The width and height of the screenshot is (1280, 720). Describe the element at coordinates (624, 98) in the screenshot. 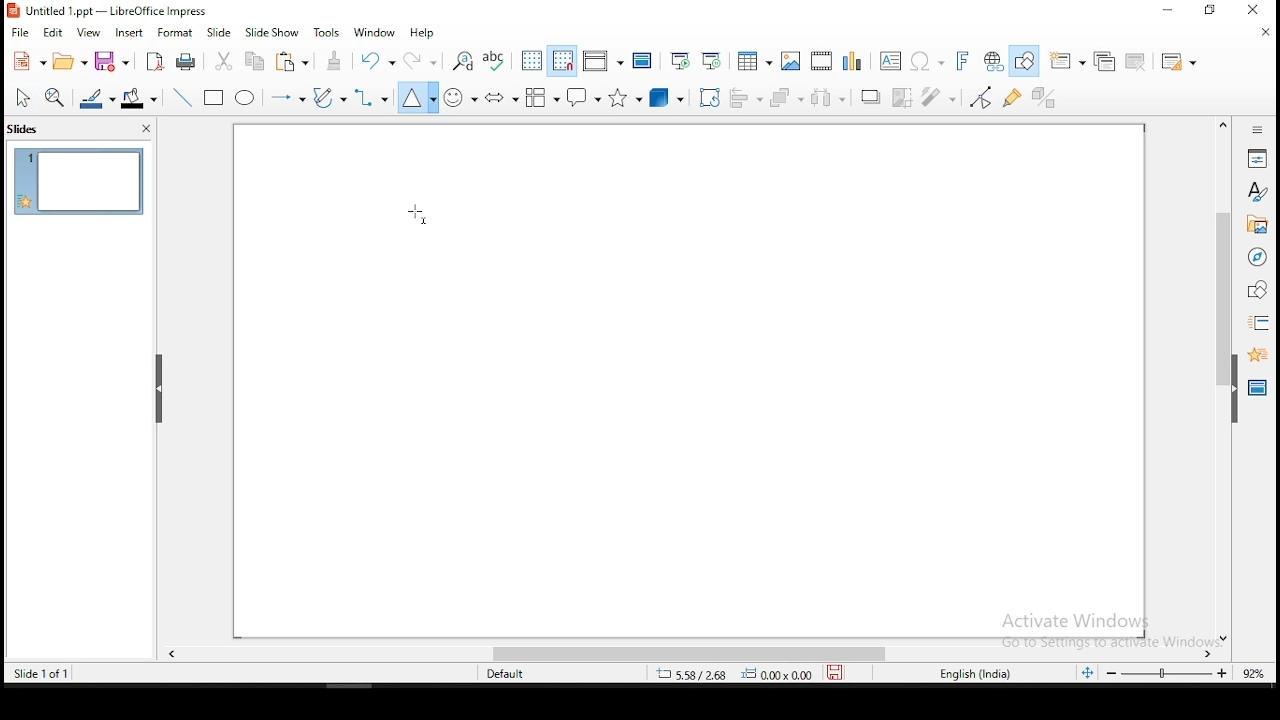

I see `stars and banners` at that location.